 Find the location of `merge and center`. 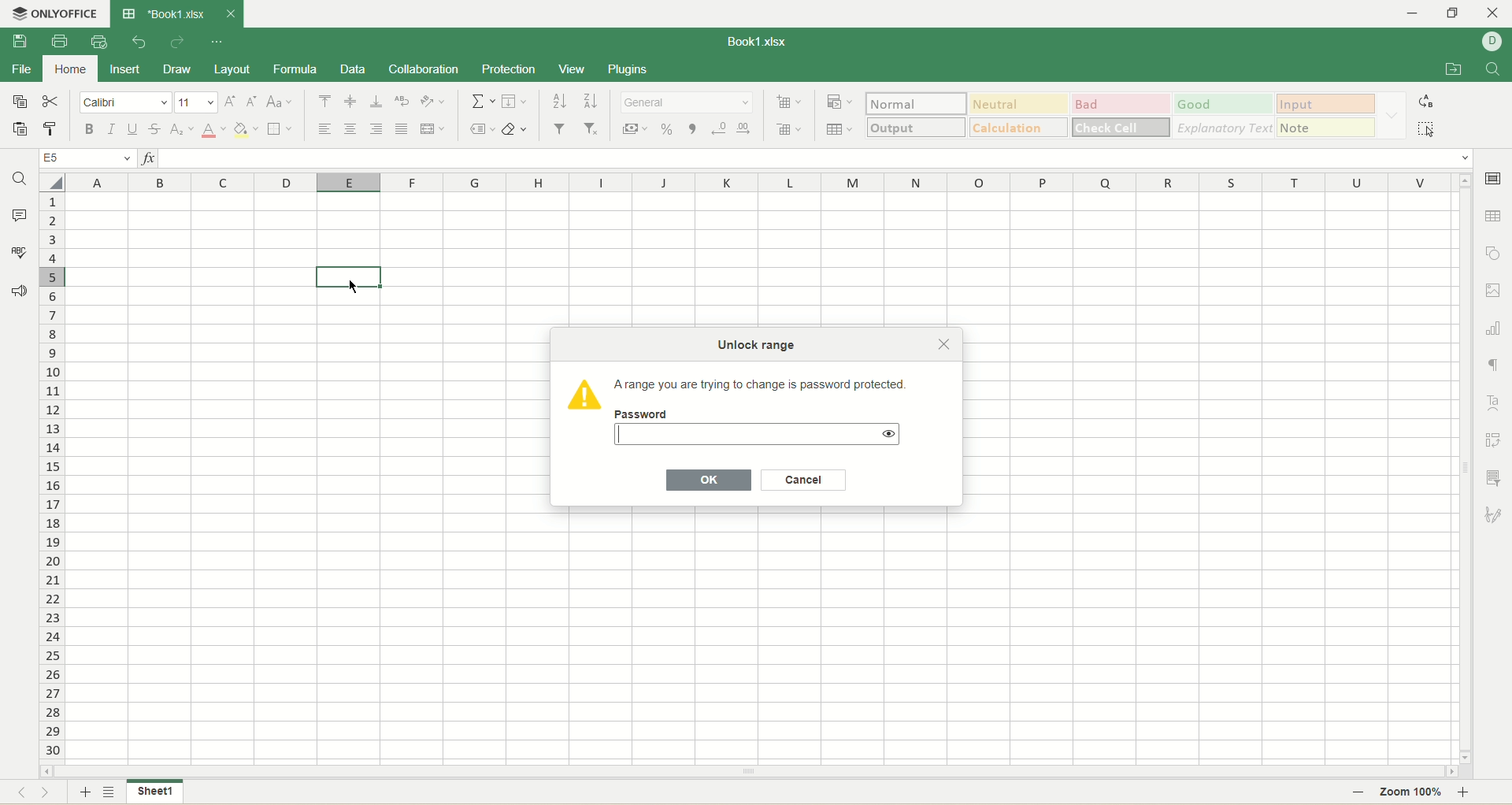

merge and center is located at coordinates (433, 129).